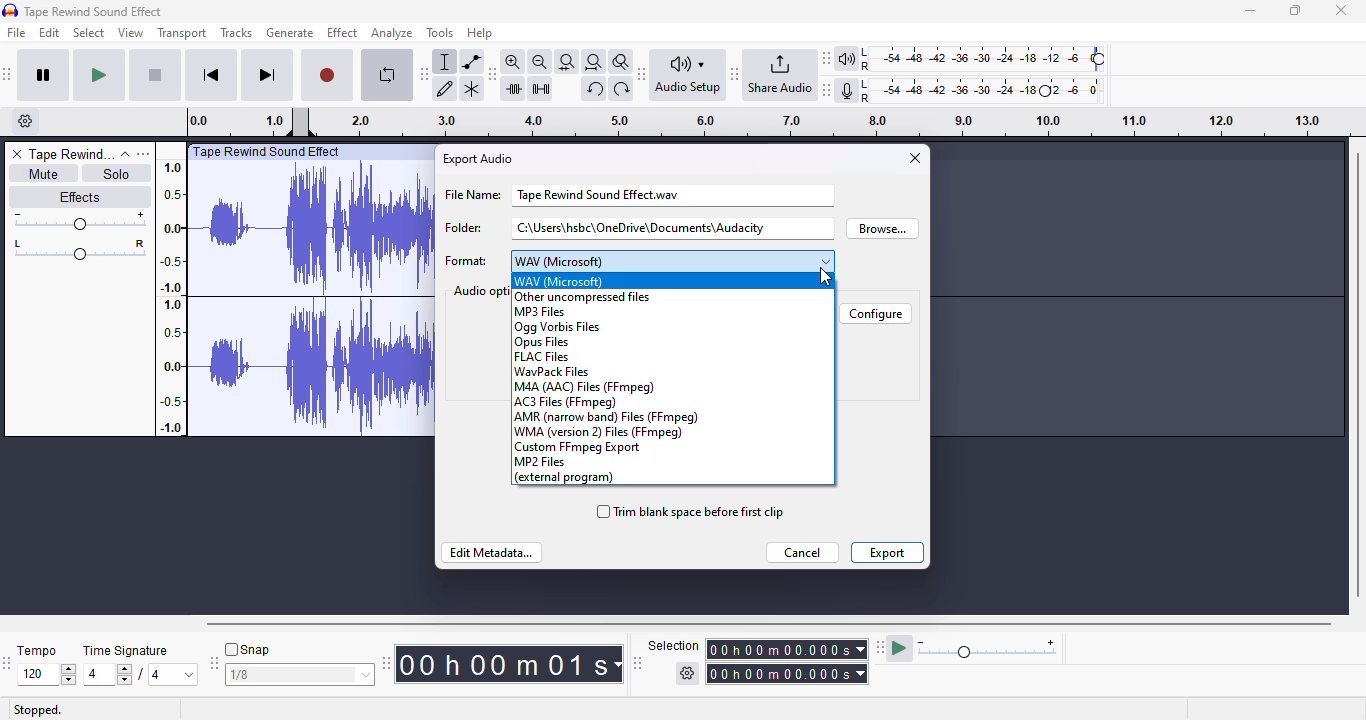  I want to click on MP2 Files, so click(539, 461).